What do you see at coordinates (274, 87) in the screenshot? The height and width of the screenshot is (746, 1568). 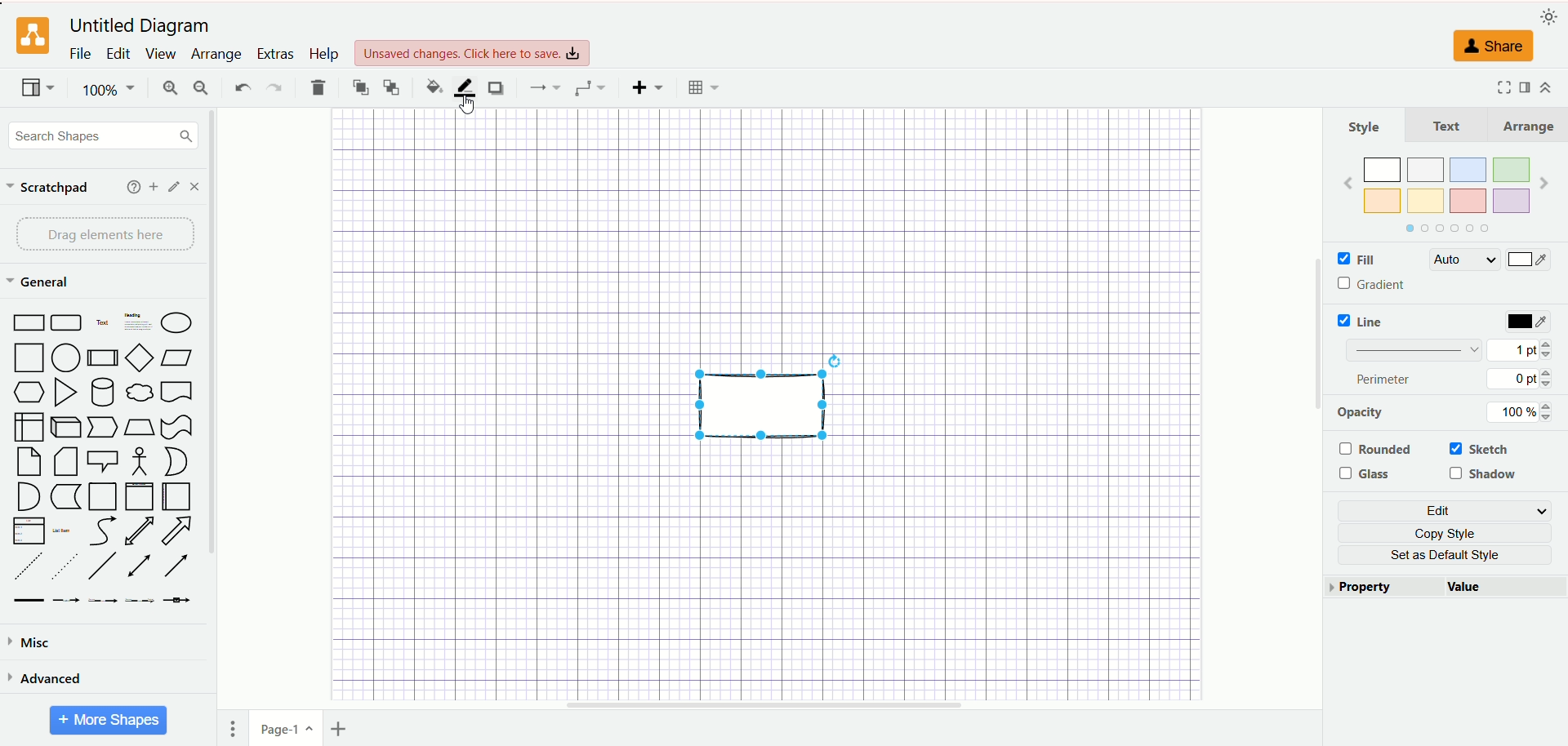 I see `redo` at bounding box center [274, 87].